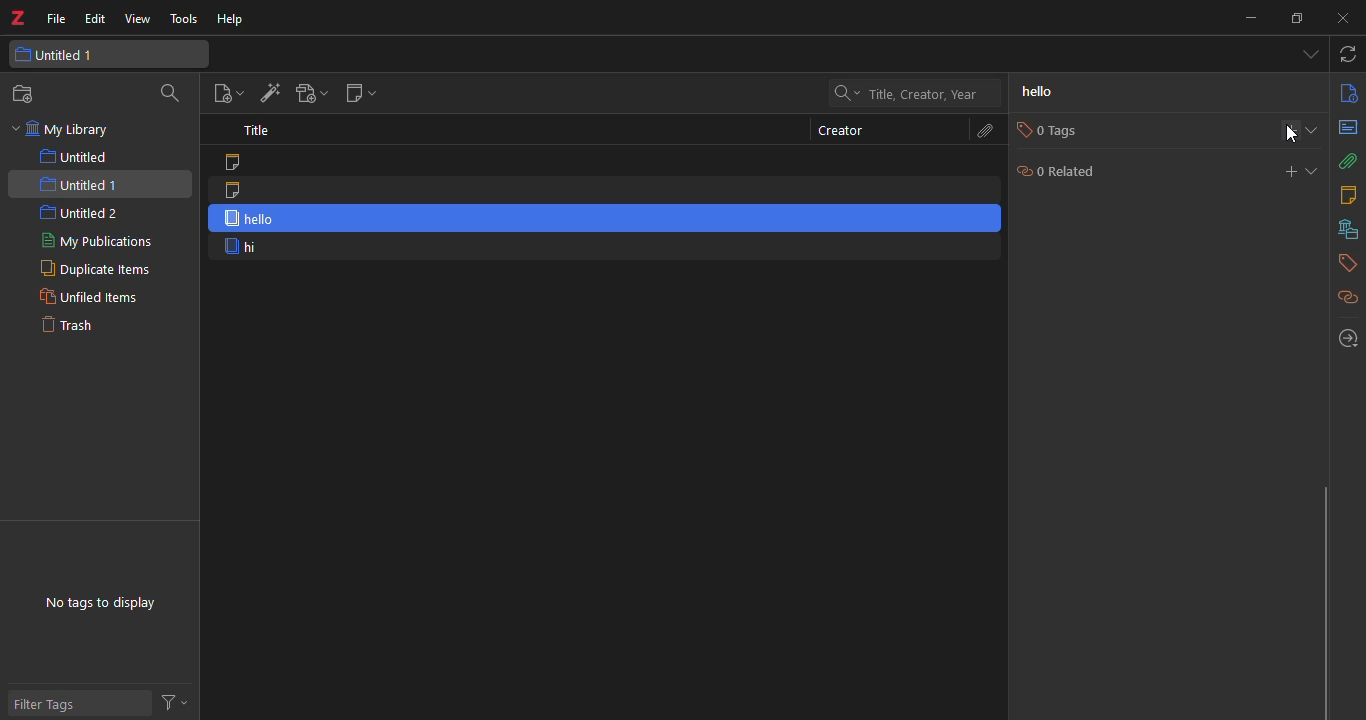 The width and height of the screenshot is (1366, 720). Describe the element at coordinates (1347, 19) in the screenshot. I see `close` at that location.